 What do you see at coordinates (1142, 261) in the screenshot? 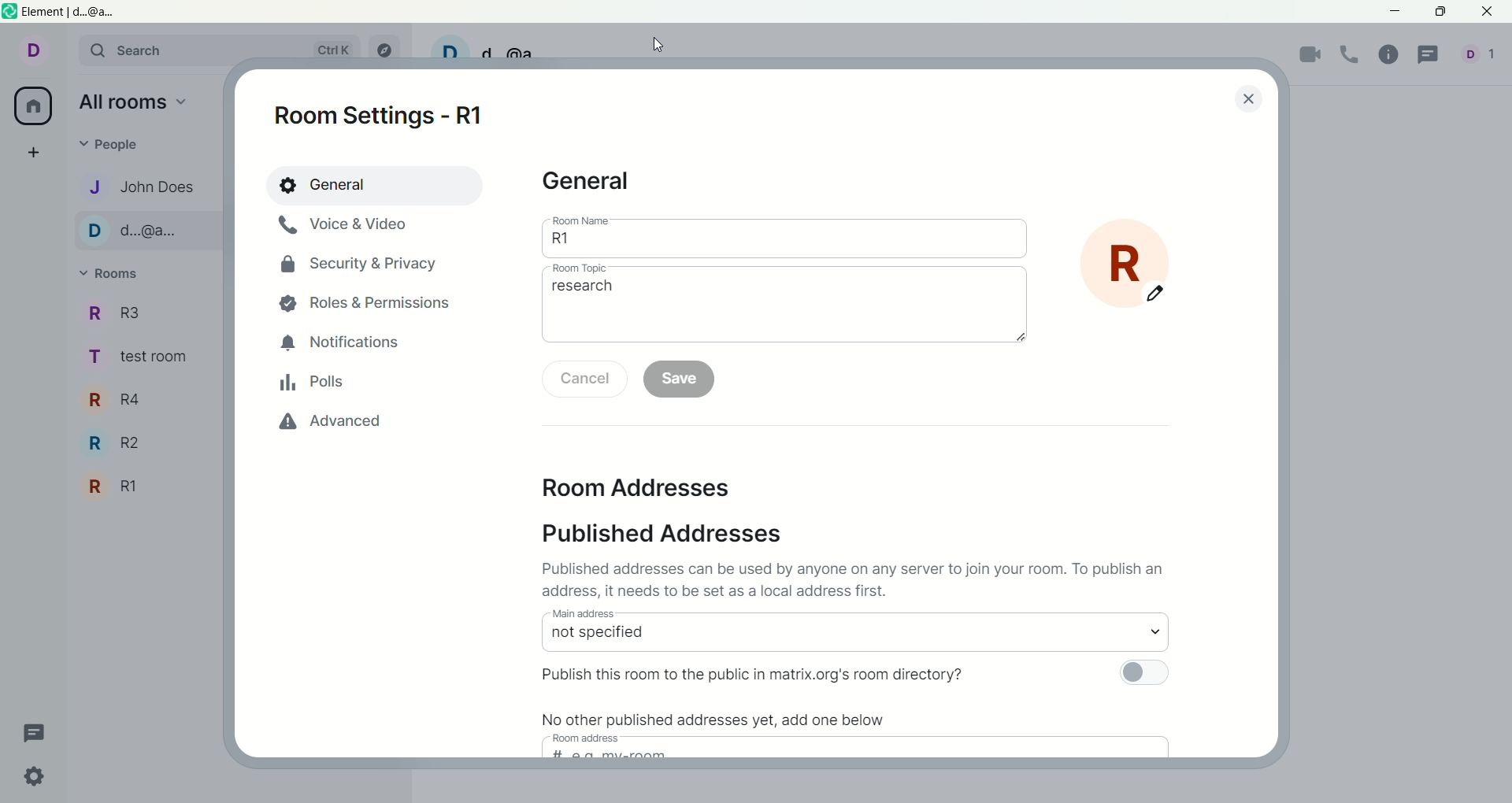
I see `r` at bounding box center [1142, 261].